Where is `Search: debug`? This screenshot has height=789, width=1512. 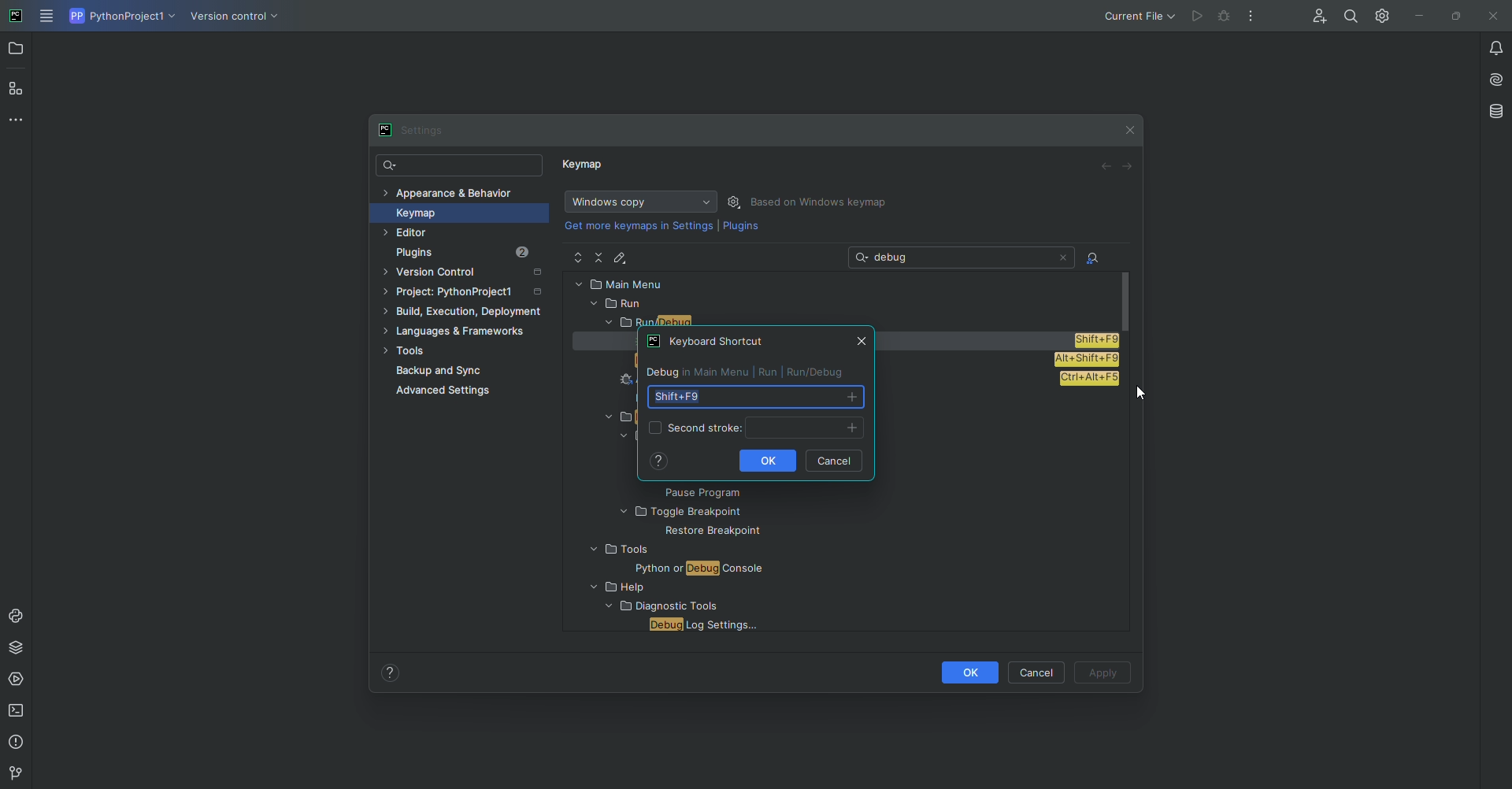 Search: debug is located at coordinates (963, 257).